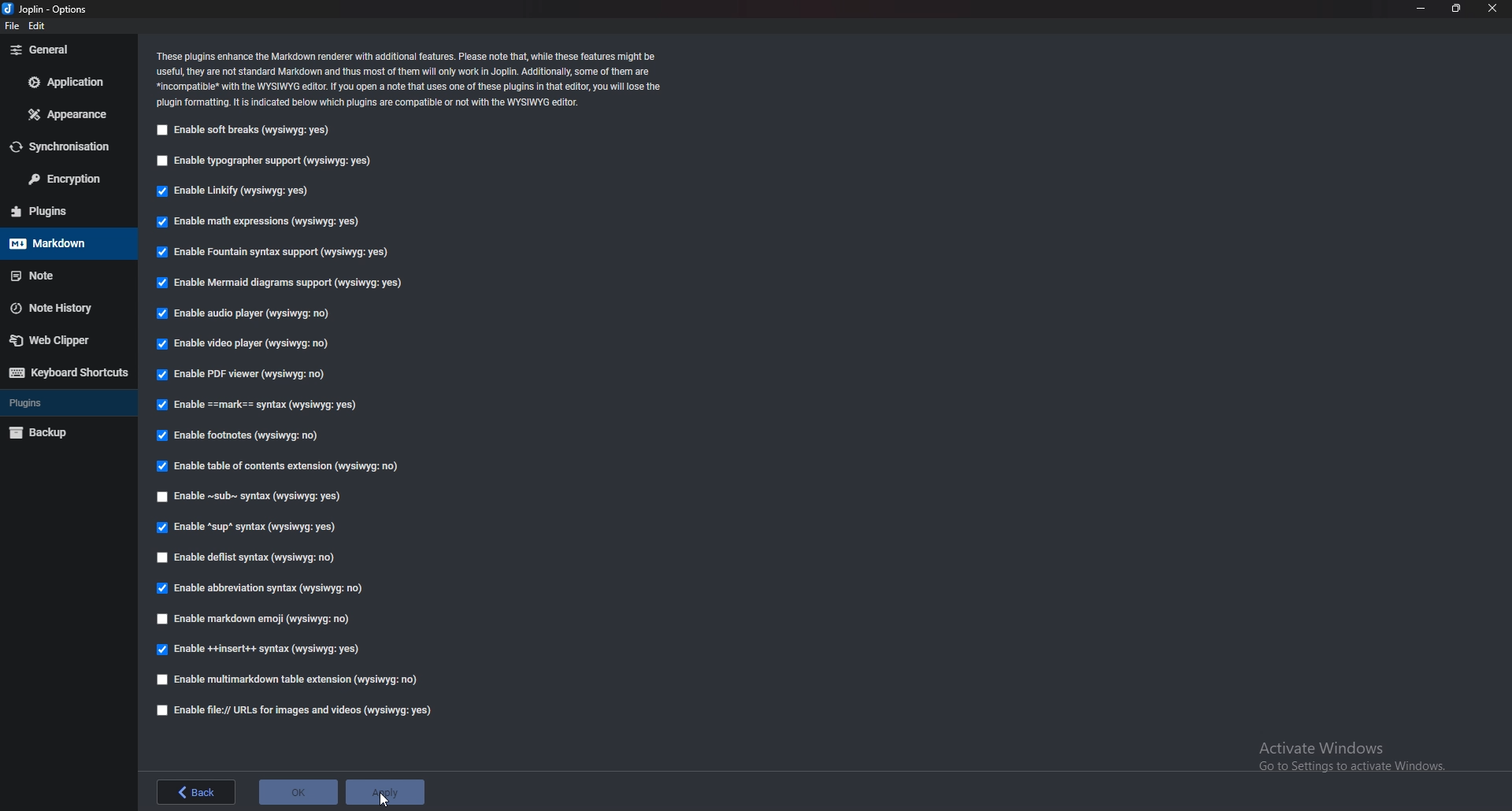 The image size is (1512, 811). What do you see at coordinates (240, 435) in the screenshot?
I see `Enable footnotes` at bounding box center [240, 435].